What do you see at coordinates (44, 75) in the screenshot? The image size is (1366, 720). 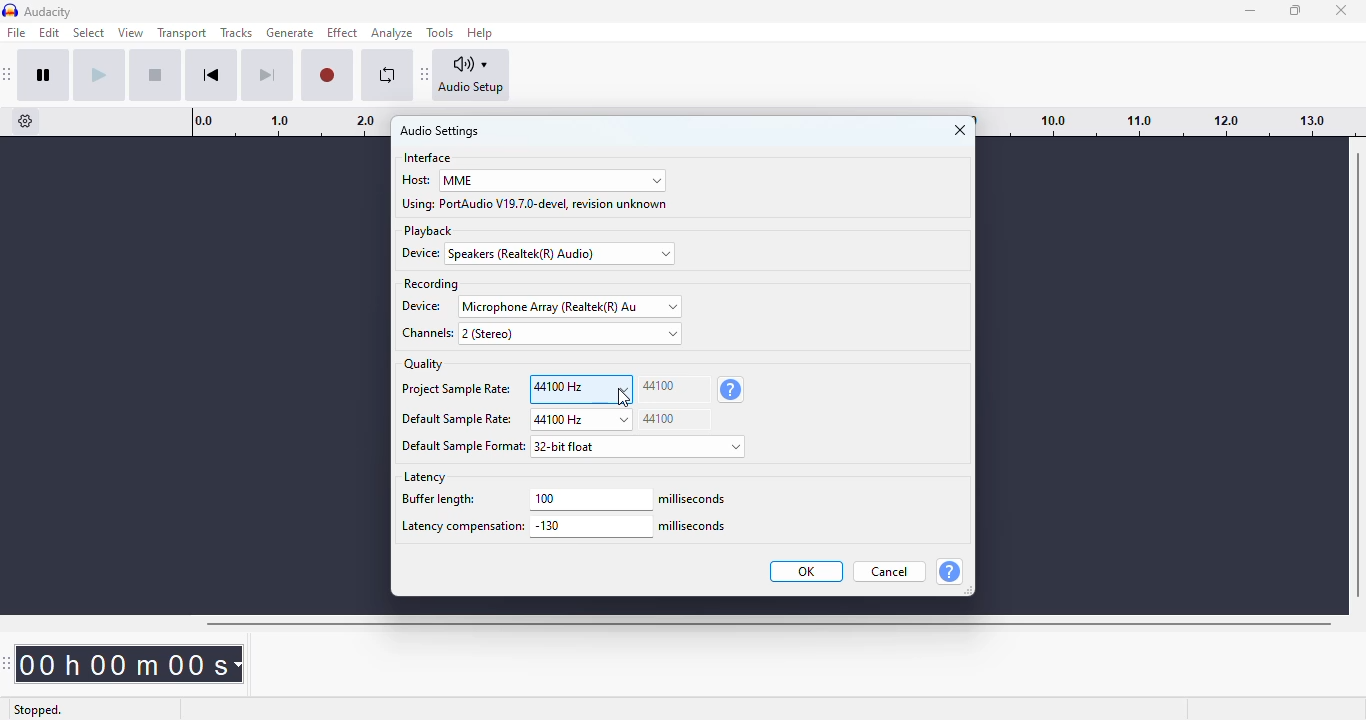 I see `pause` at bounding box center [44, 75].